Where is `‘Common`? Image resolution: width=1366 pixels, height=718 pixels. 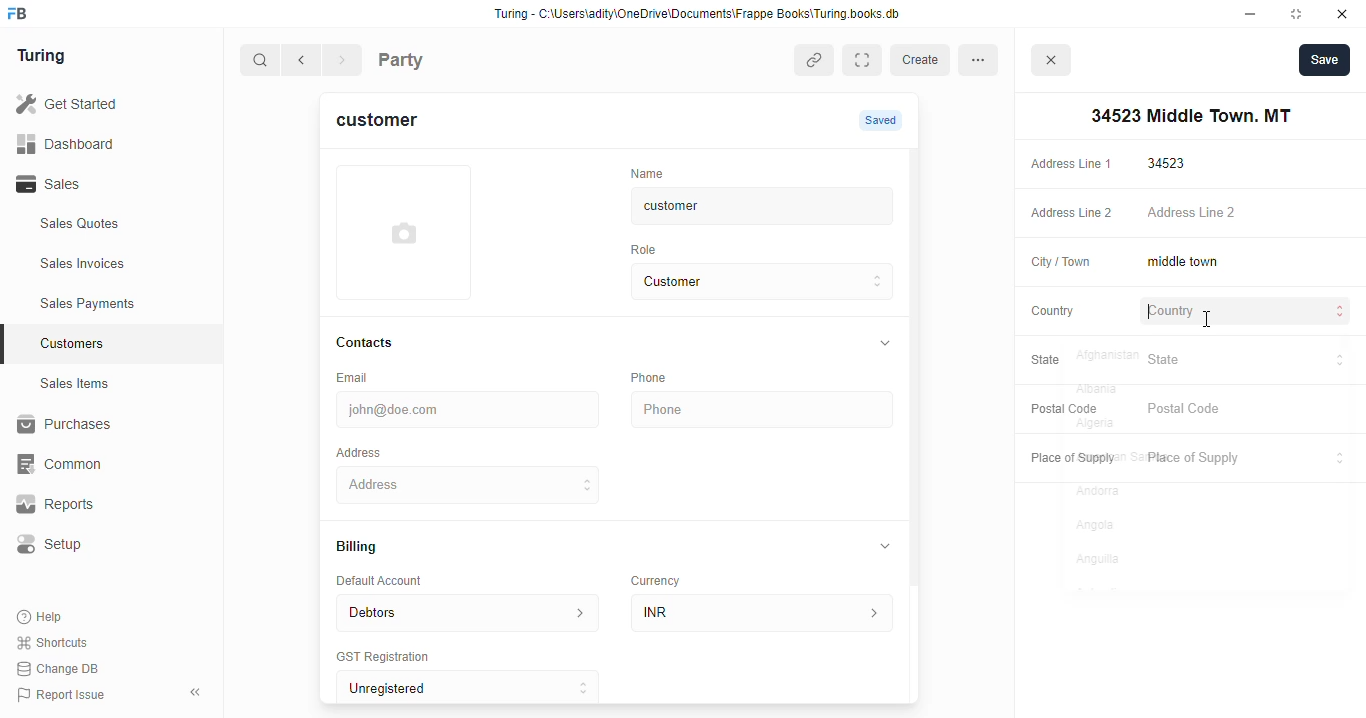 ‘Common is located at coordinates (100, 464).